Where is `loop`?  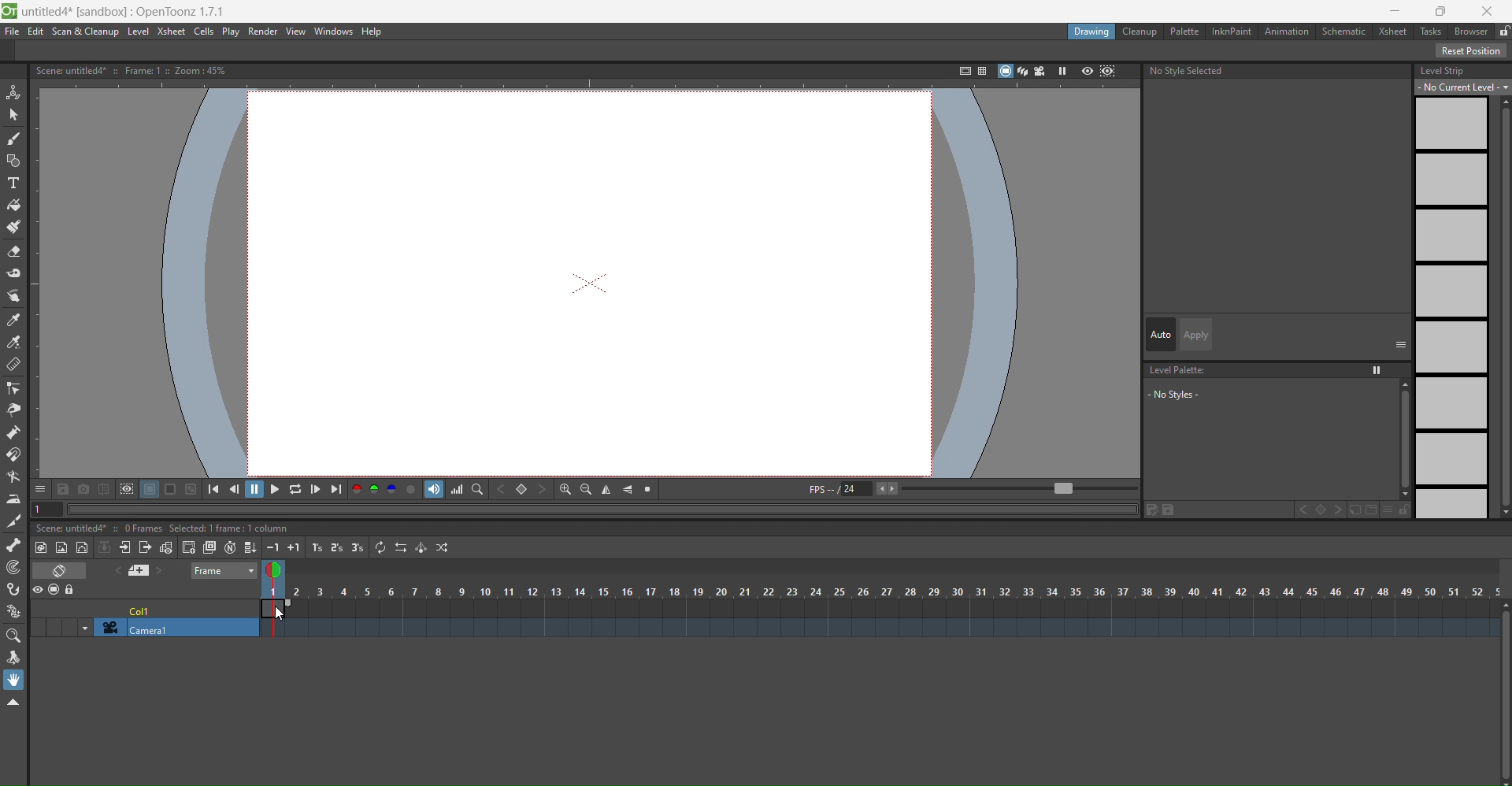
loop is located at coordinates (295, 488).